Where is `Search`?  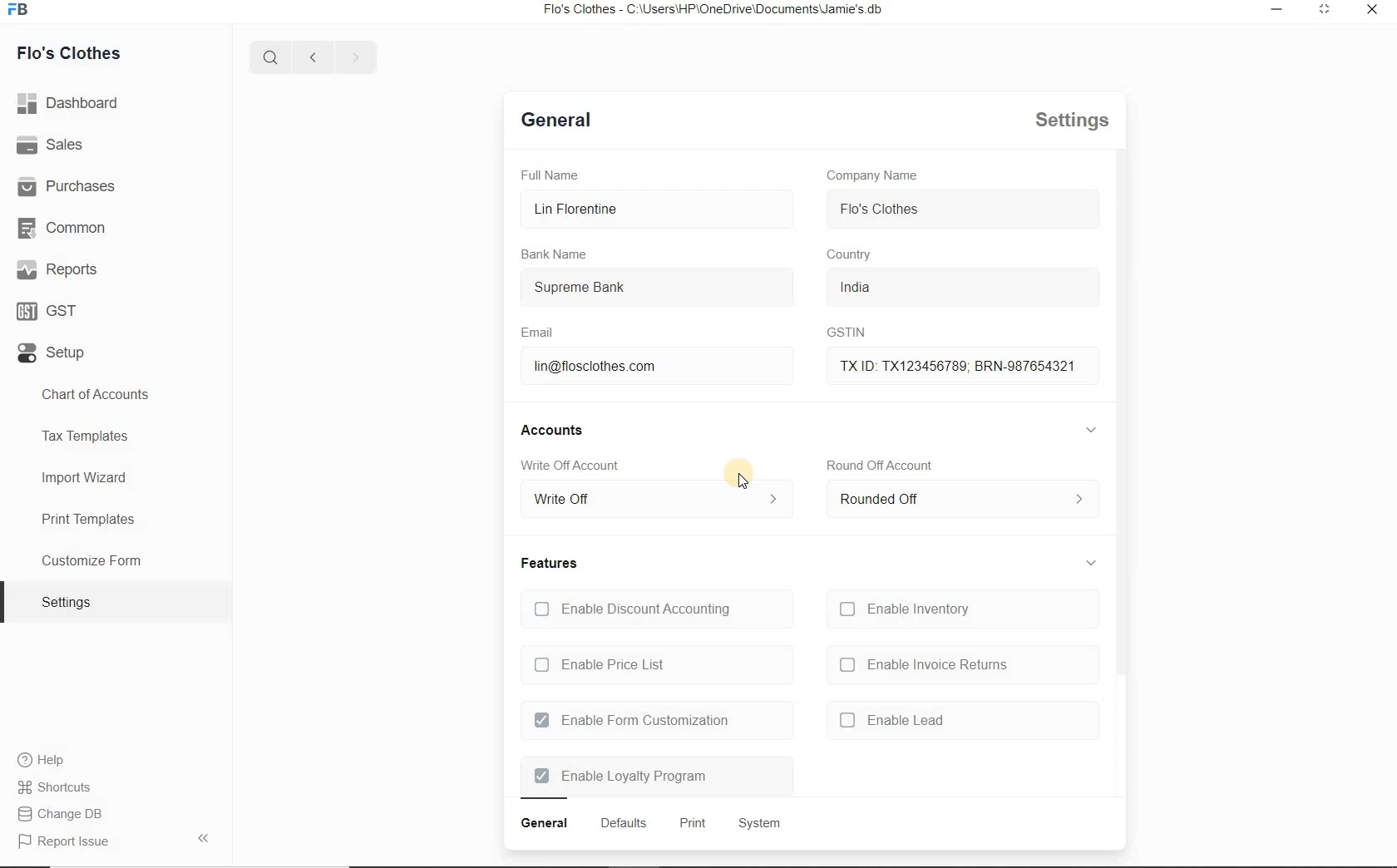
Search is located at coordinates (271, 56).